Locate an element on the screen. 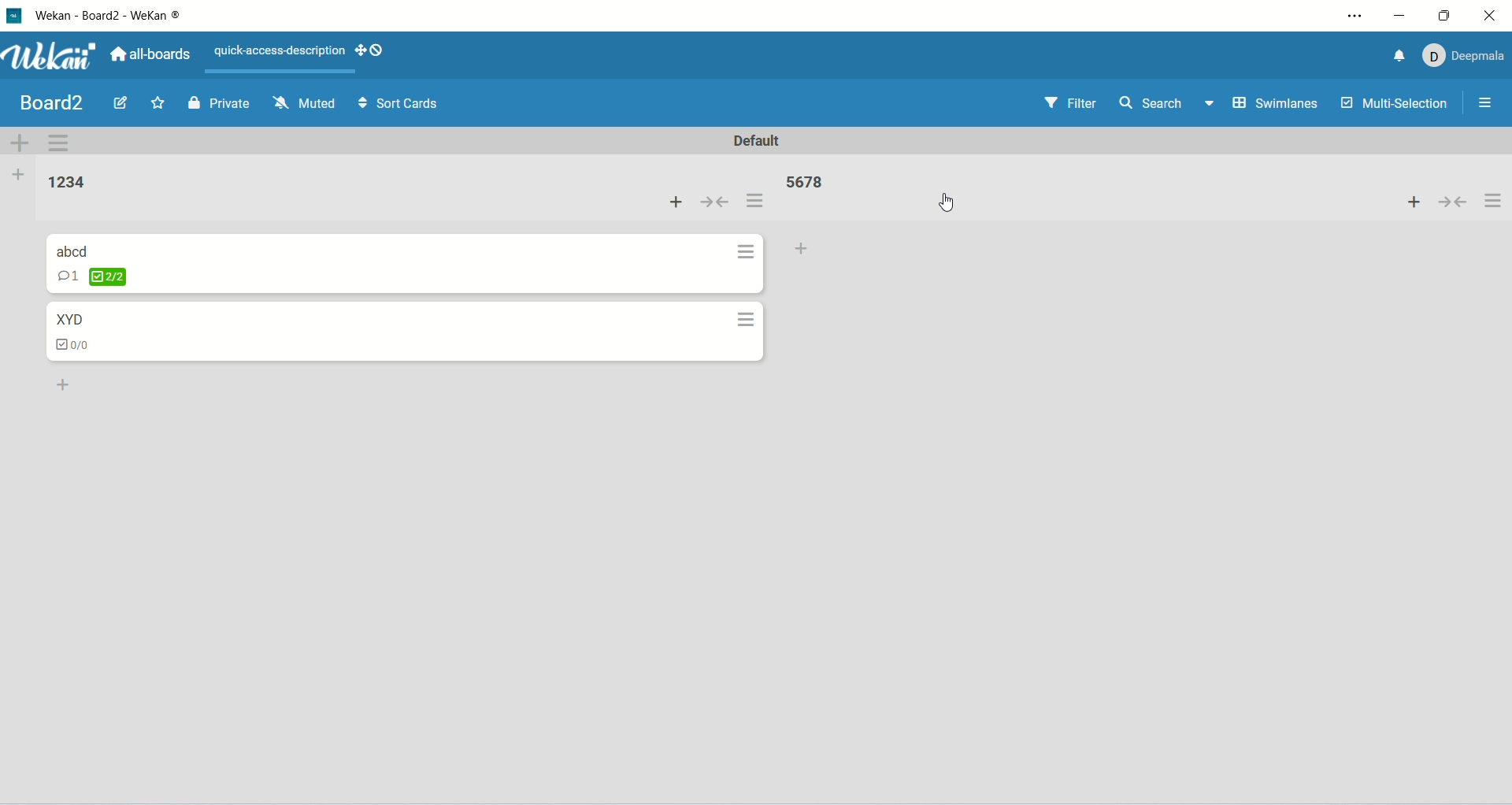  swimlanes is located at coordinates (1274, 104).